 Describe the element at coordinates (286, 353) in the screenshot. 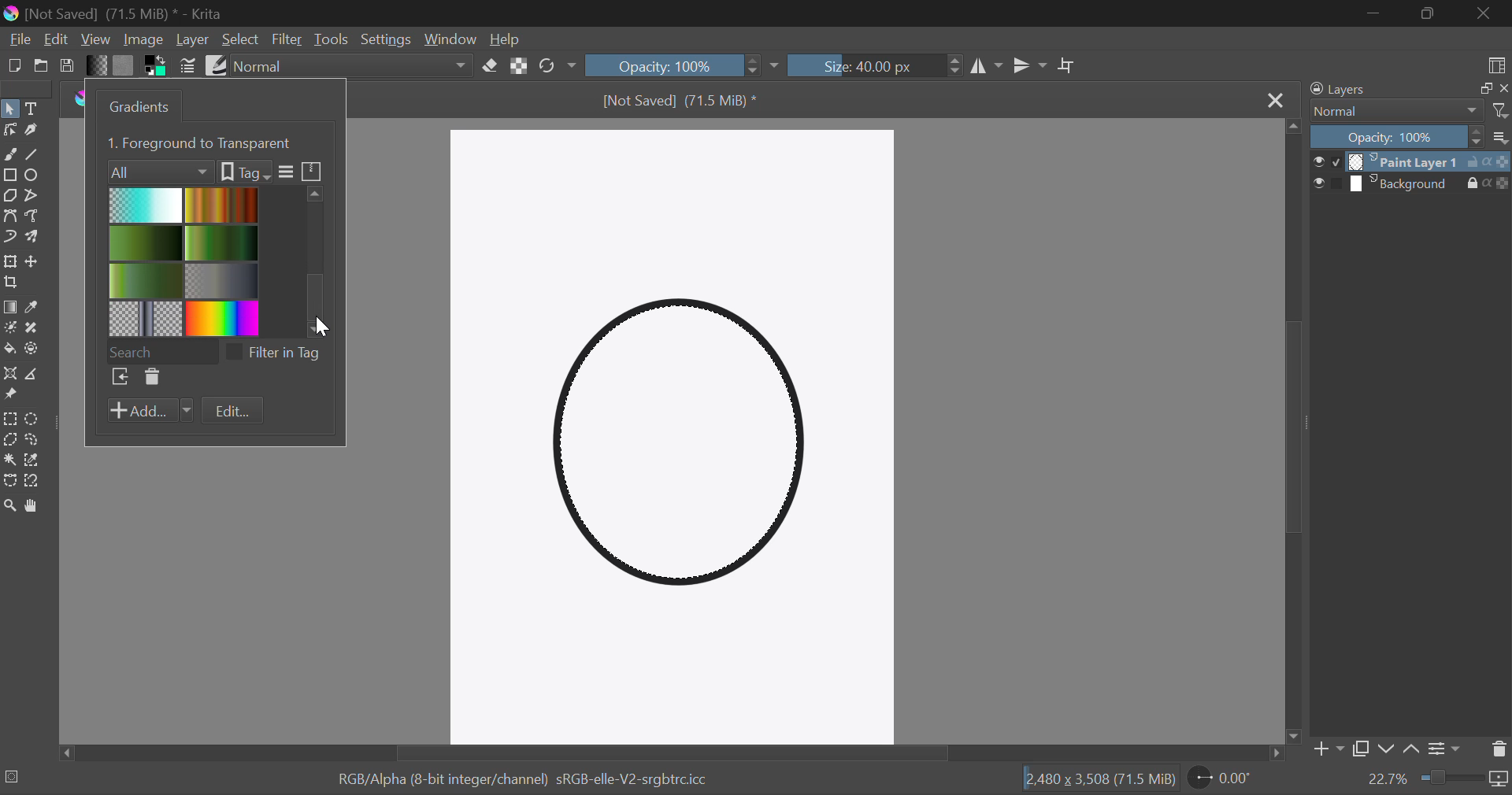

I see `filter in tag` at that location.